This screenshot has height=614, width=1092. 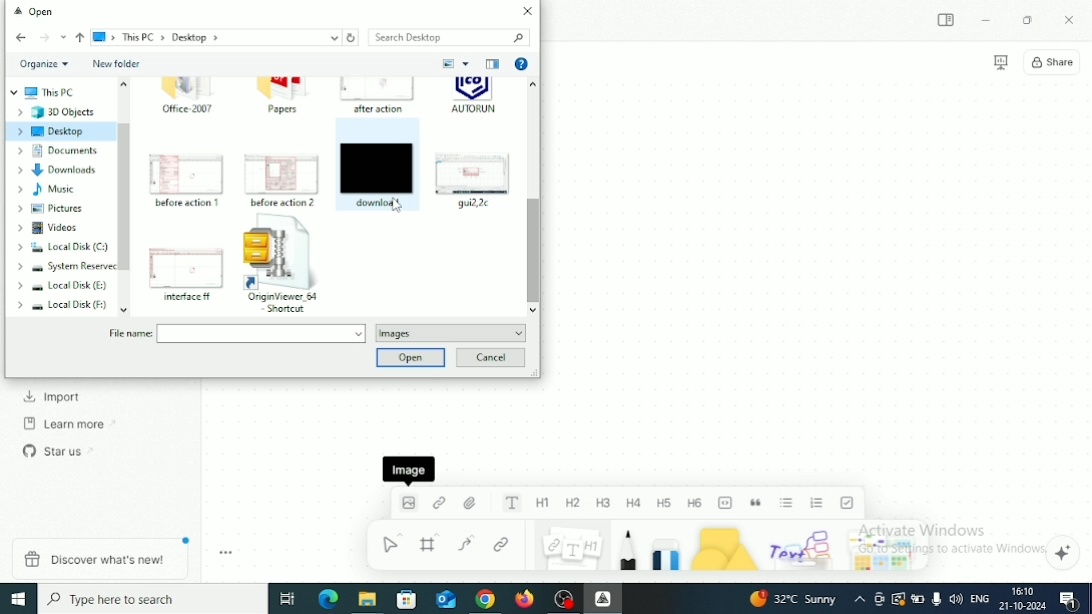 I want to click on OriginViewer_64 Shortcut, so click(x=287, y=266).